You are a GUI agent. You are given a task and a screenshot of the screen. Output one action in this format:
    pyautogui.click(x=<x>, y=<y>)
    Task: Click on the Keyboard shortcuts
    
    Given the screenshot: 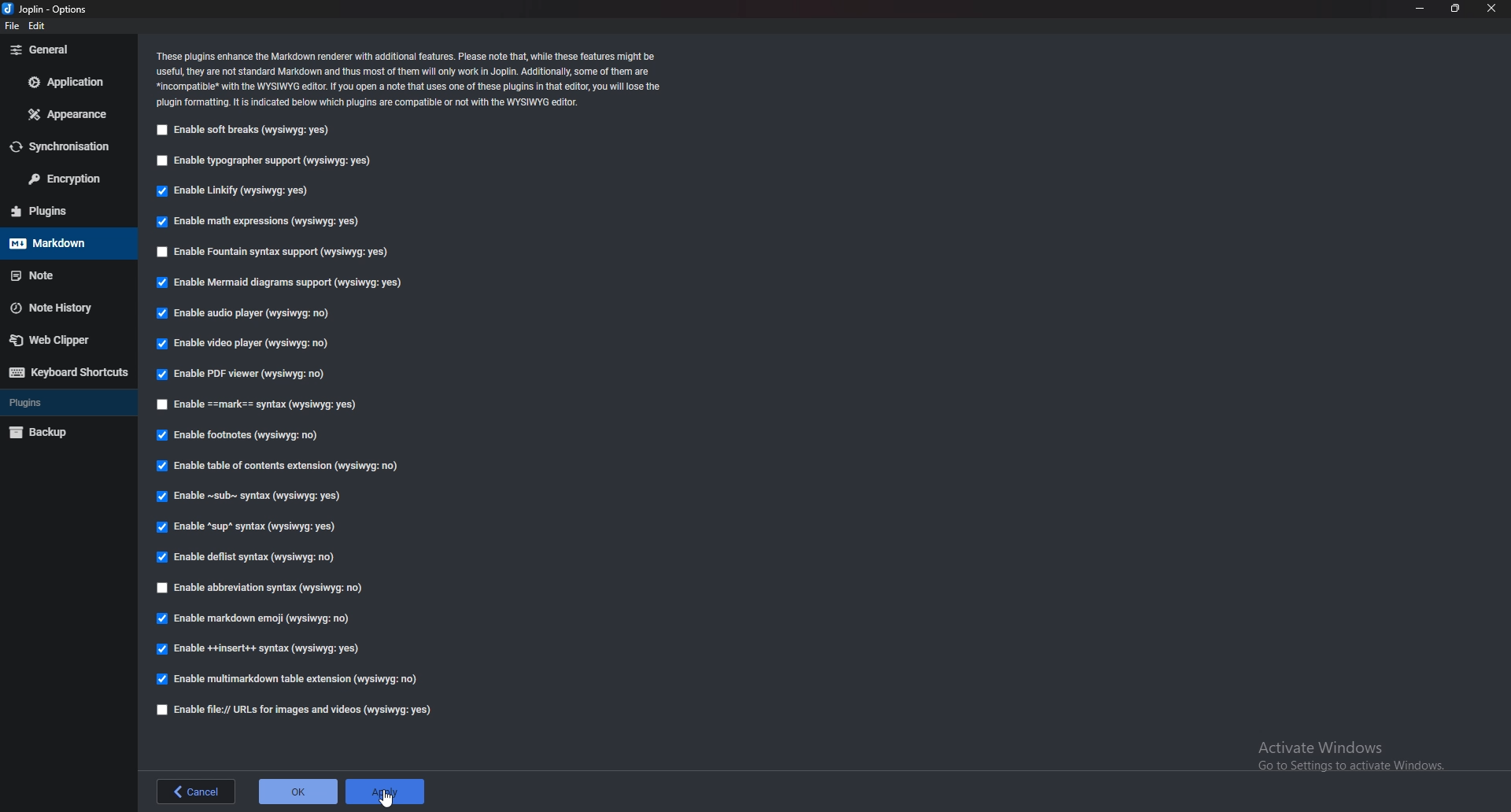 What is the action you would take?
    pyautogui.click(x=70, y=371)
    